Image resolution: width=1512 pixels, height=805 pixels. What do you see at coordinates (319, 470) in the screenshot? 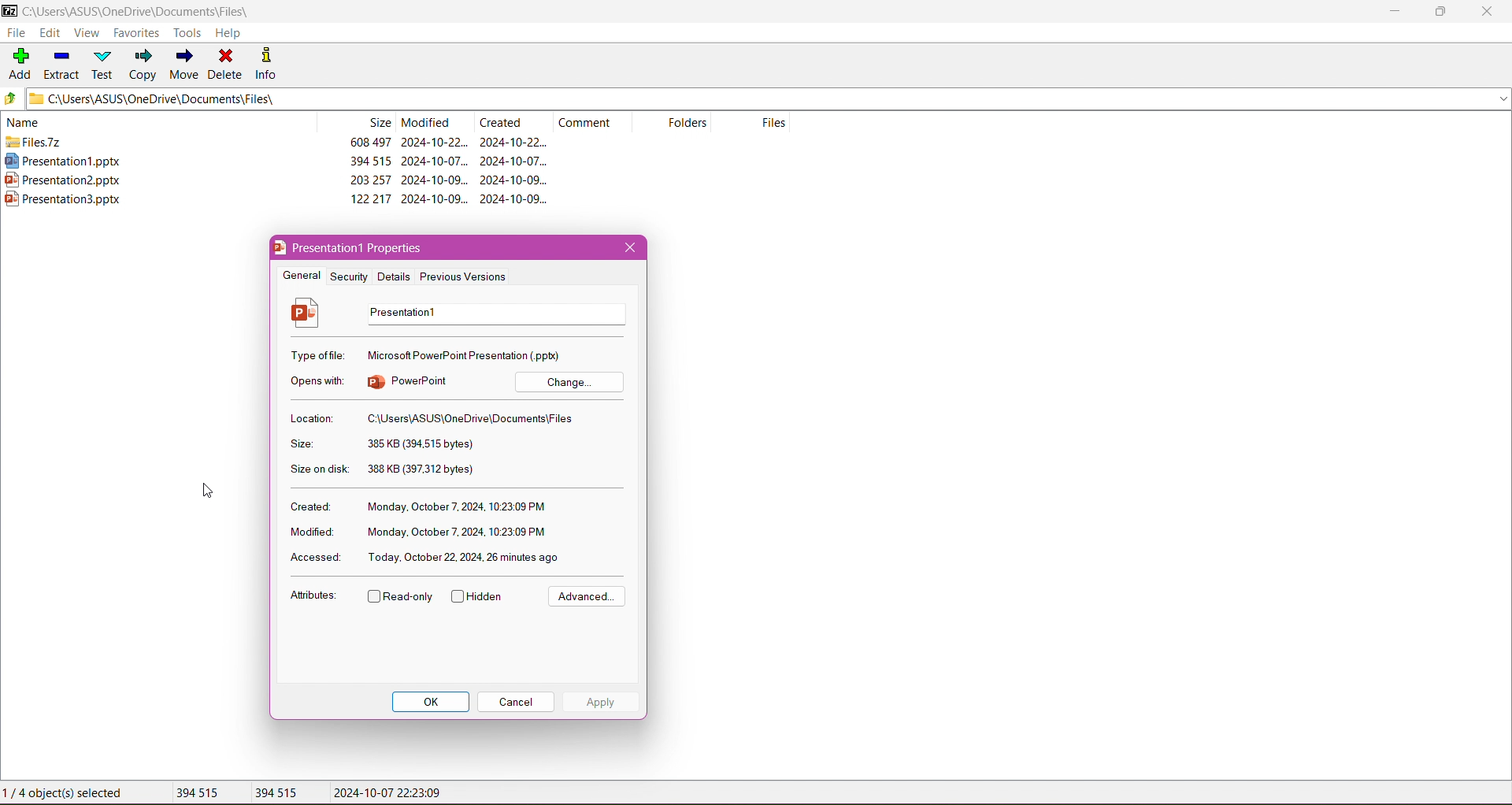
I see `Size on disk:` at bounding box center [319, 470].